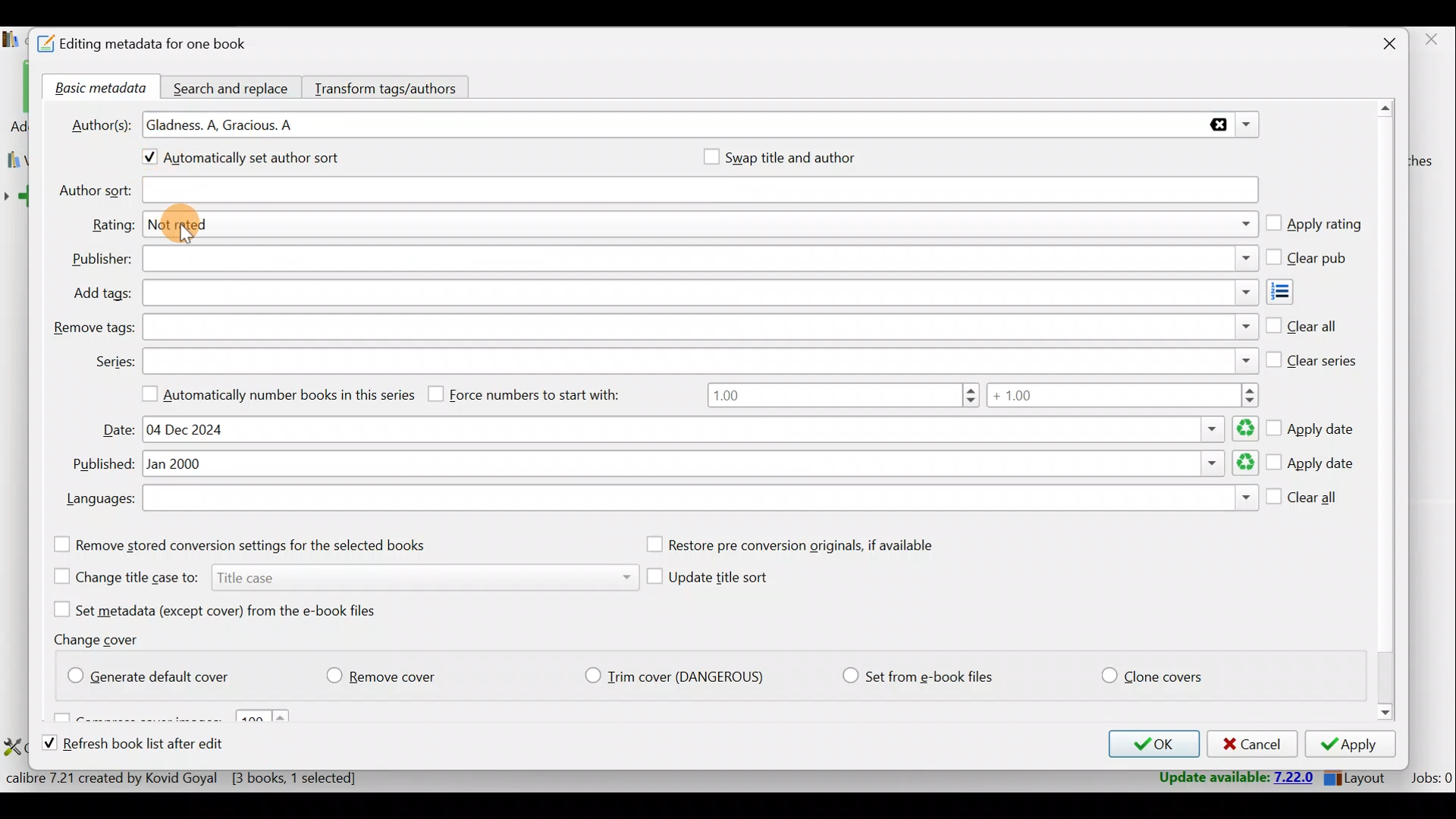 Image resolution: width=1456 pixels, height=819 pixels. I want to click on Series:, so click(114, 362).